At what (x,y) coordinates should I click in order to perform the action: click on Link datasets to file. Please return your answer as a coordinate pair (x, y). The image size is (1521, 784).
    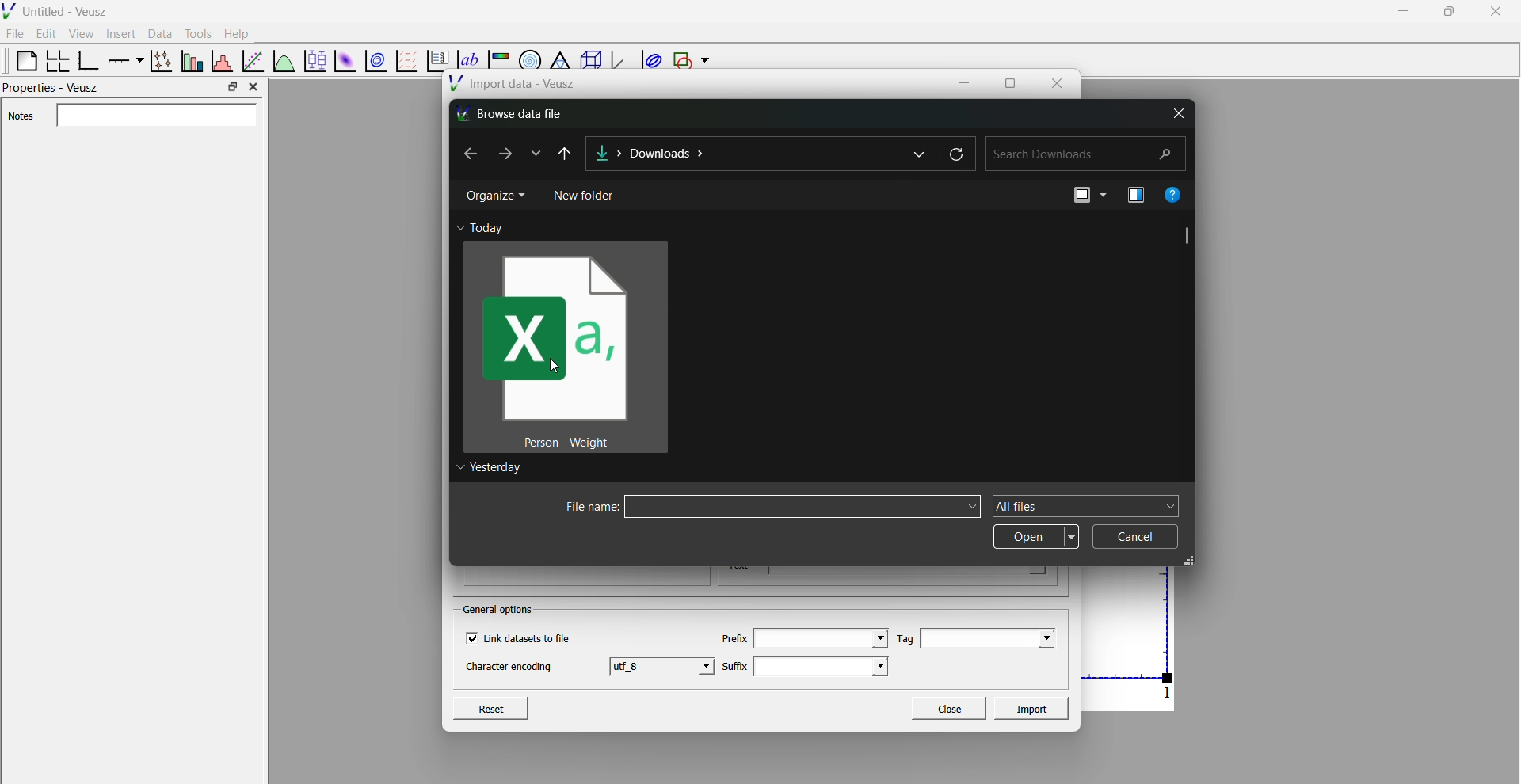
    Looking at the image, I should click on (524, 638).